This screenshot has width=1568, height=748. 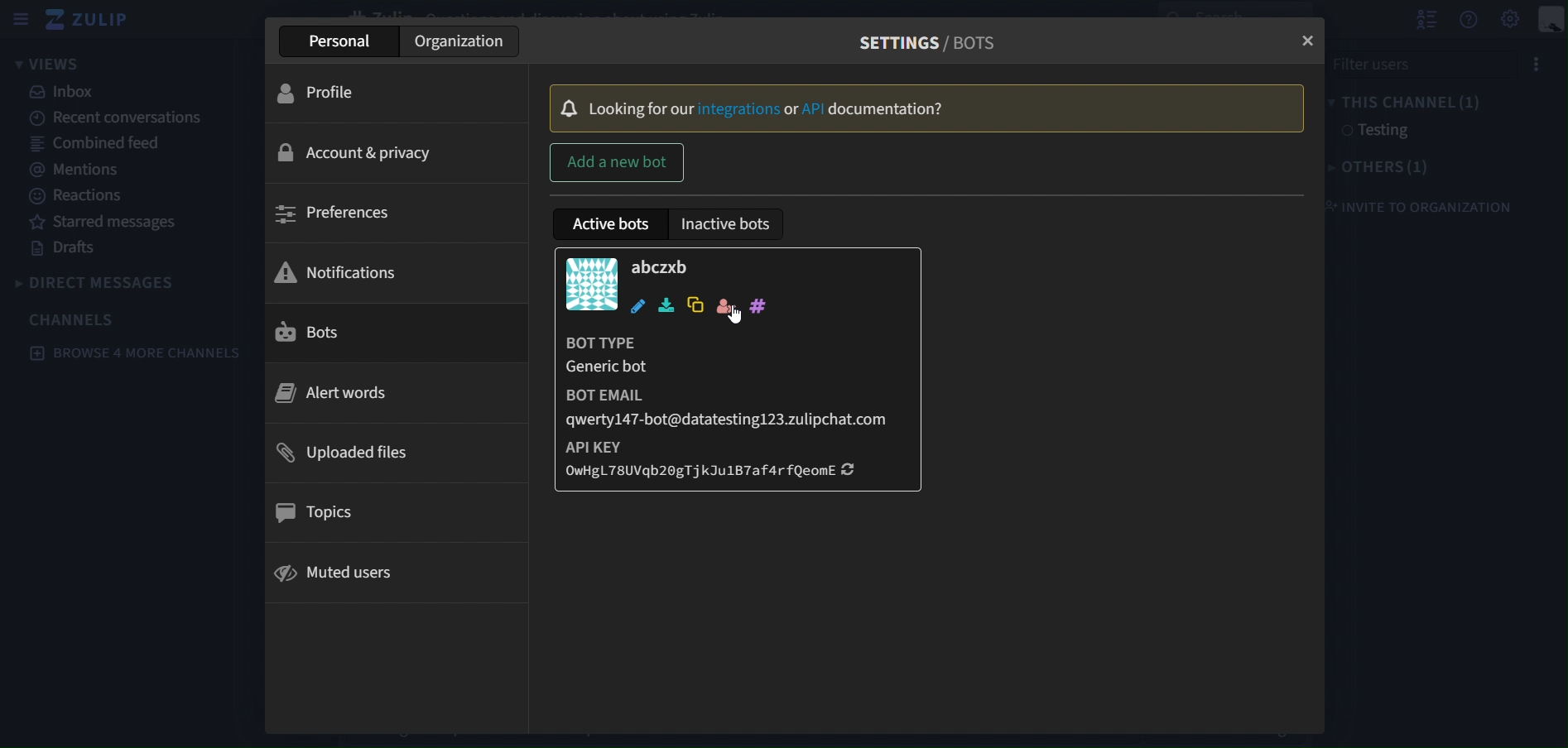 What do you see at coordinates (724, 307) in the screenshot?
I see `deactivate bot` at bounding box center [724, 307].